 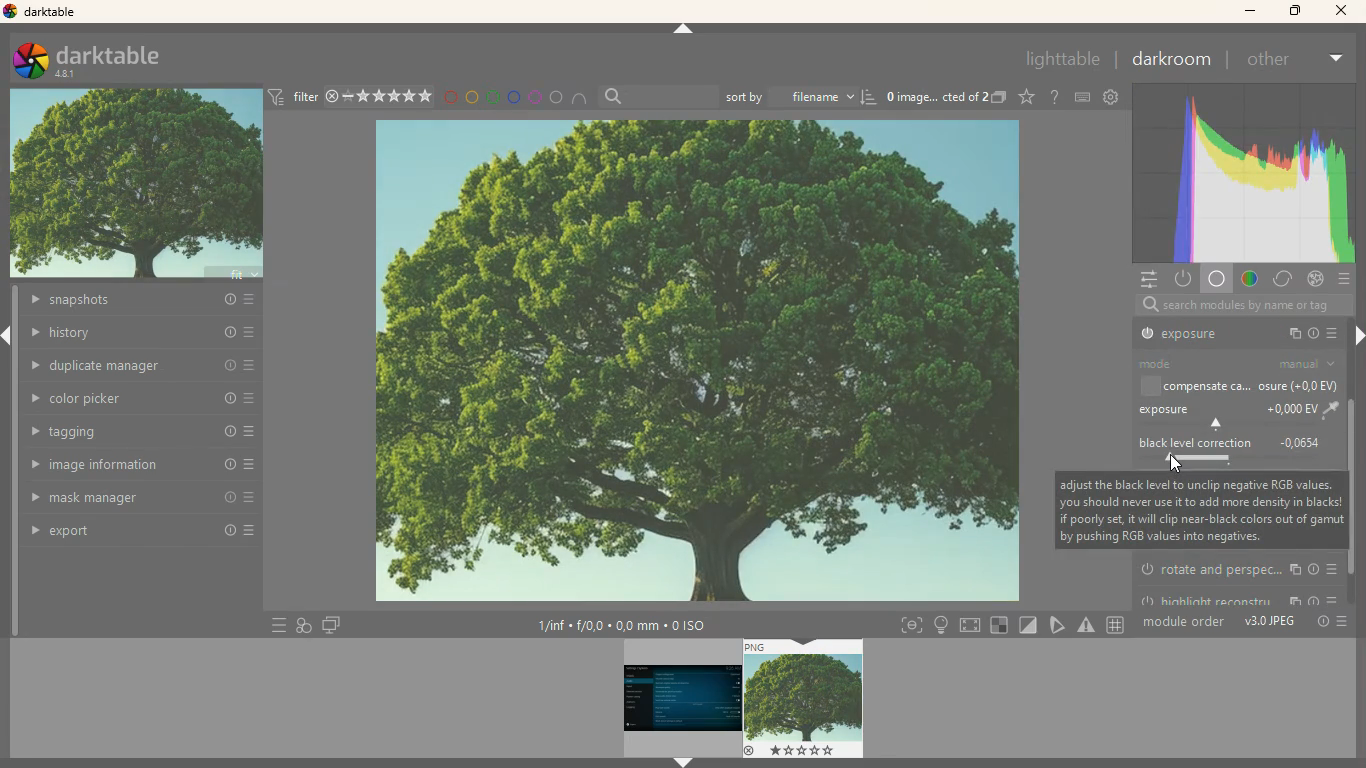 I want to click on diagonal, so click(x=1026, y=624).